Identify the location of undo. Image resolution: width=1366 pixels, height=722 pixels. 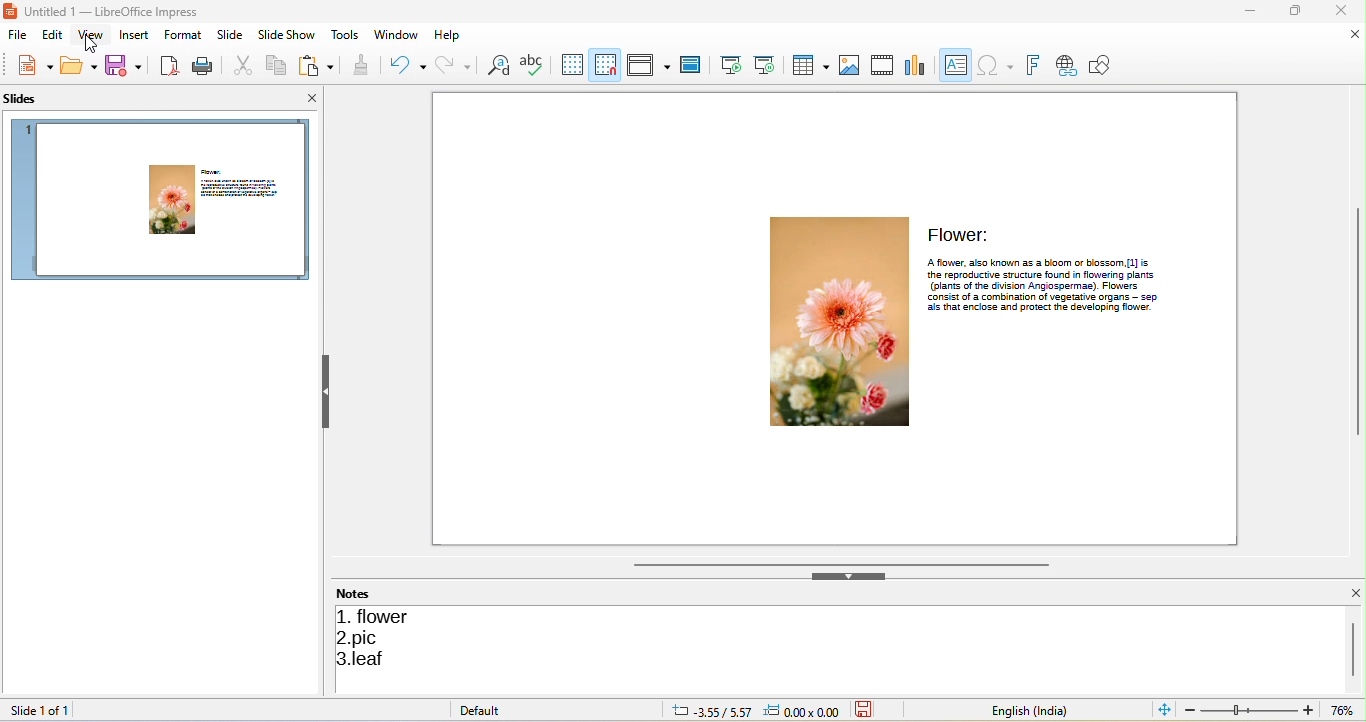
(405, 65).